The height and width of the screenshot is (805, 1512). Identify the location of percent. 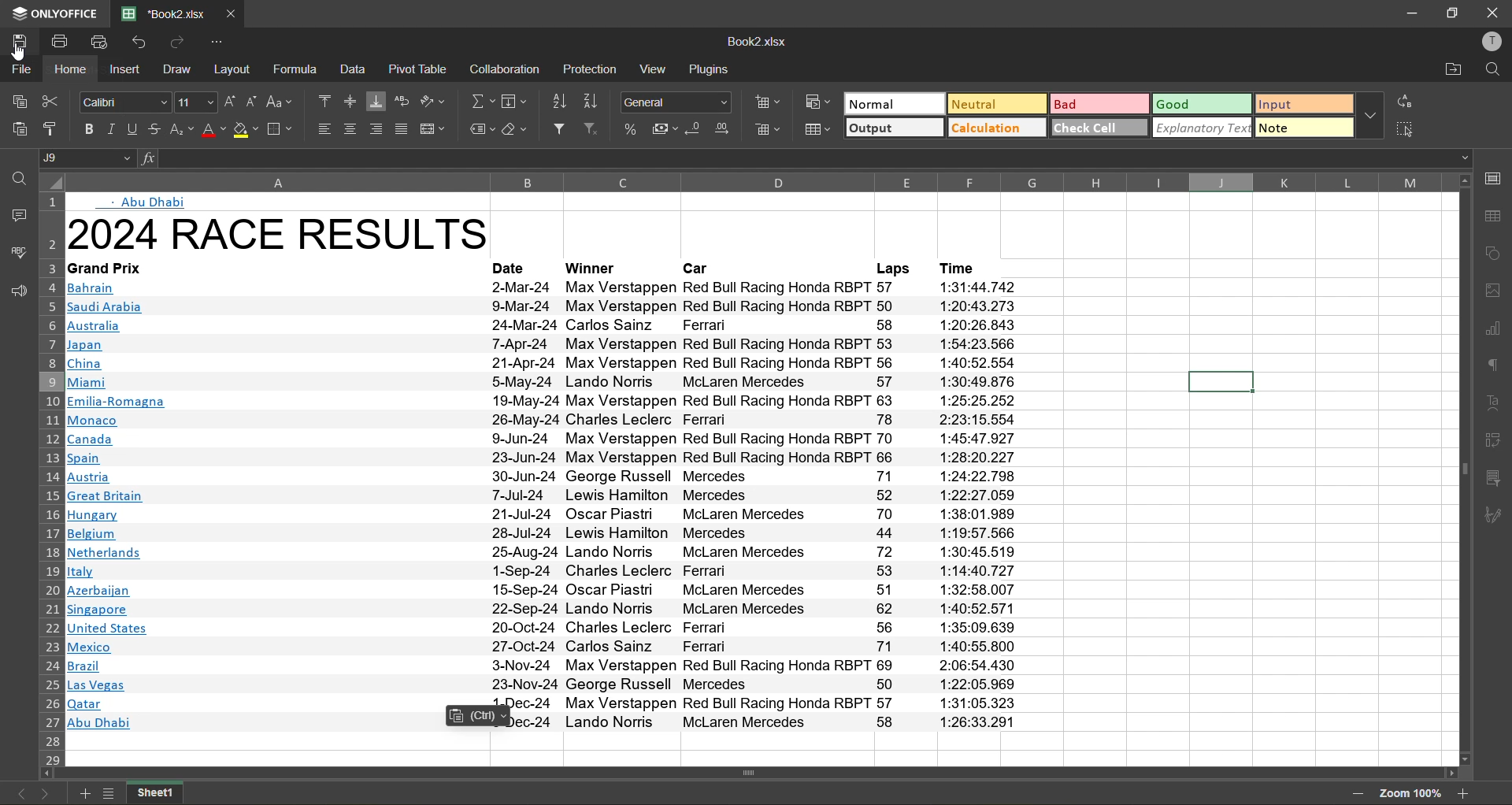
(628, 131).